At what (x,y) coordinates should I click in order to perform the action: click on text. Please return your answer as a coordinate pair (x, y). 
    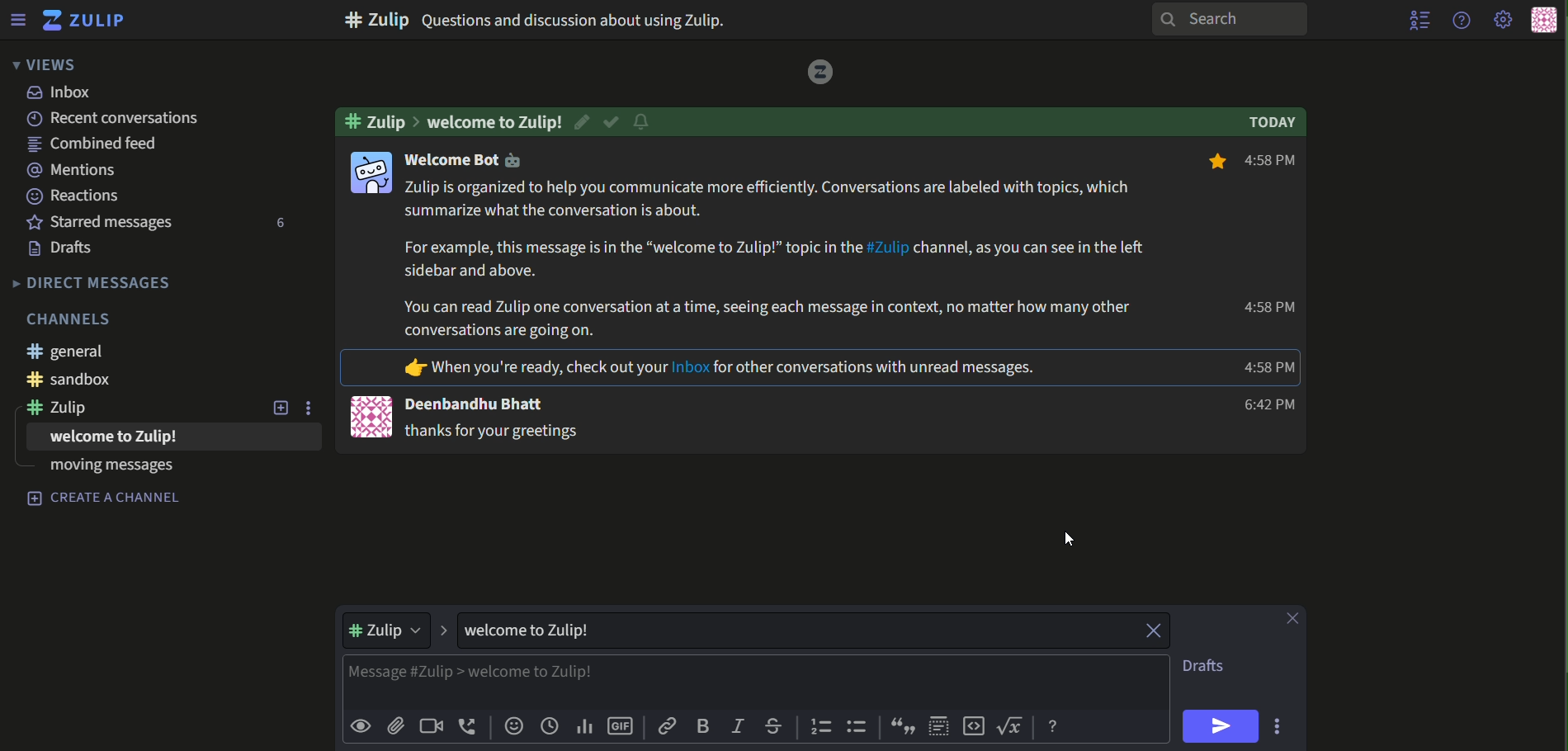
    Looking at the image, I should click on (539, 631).